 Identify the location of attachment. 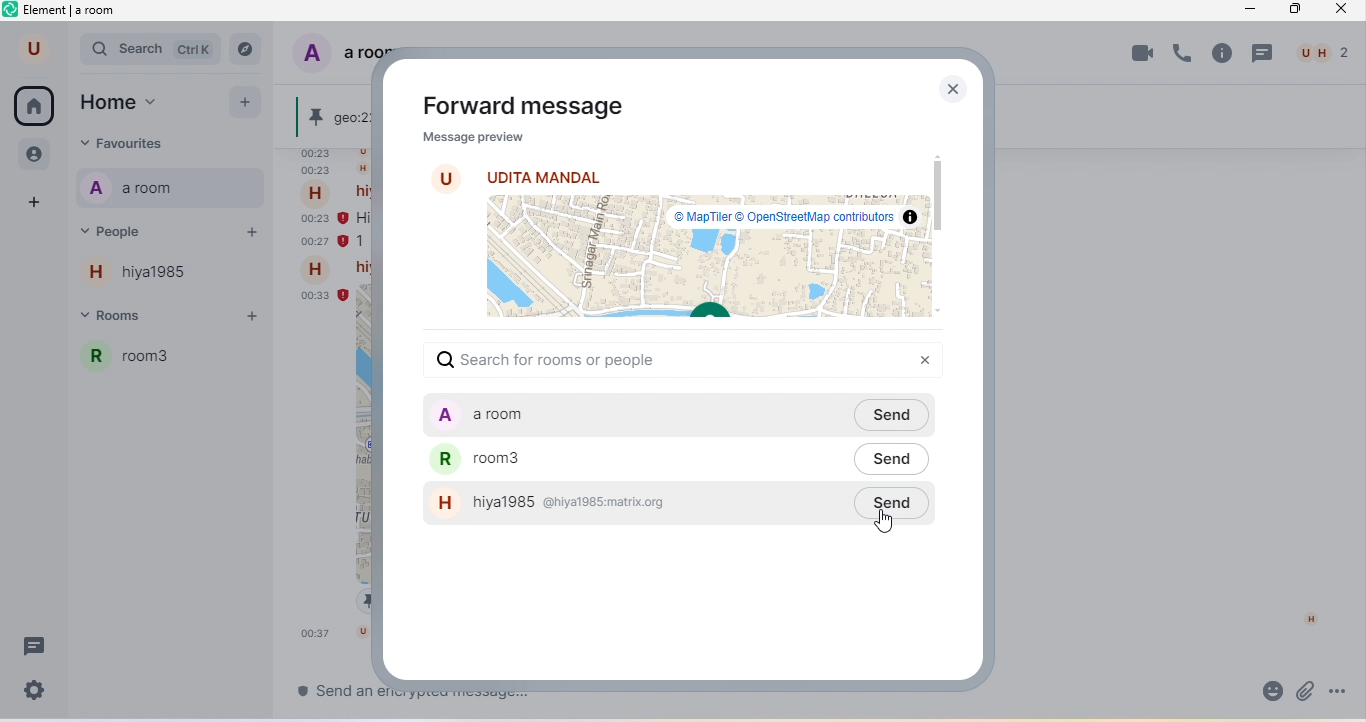
(1305, 690).